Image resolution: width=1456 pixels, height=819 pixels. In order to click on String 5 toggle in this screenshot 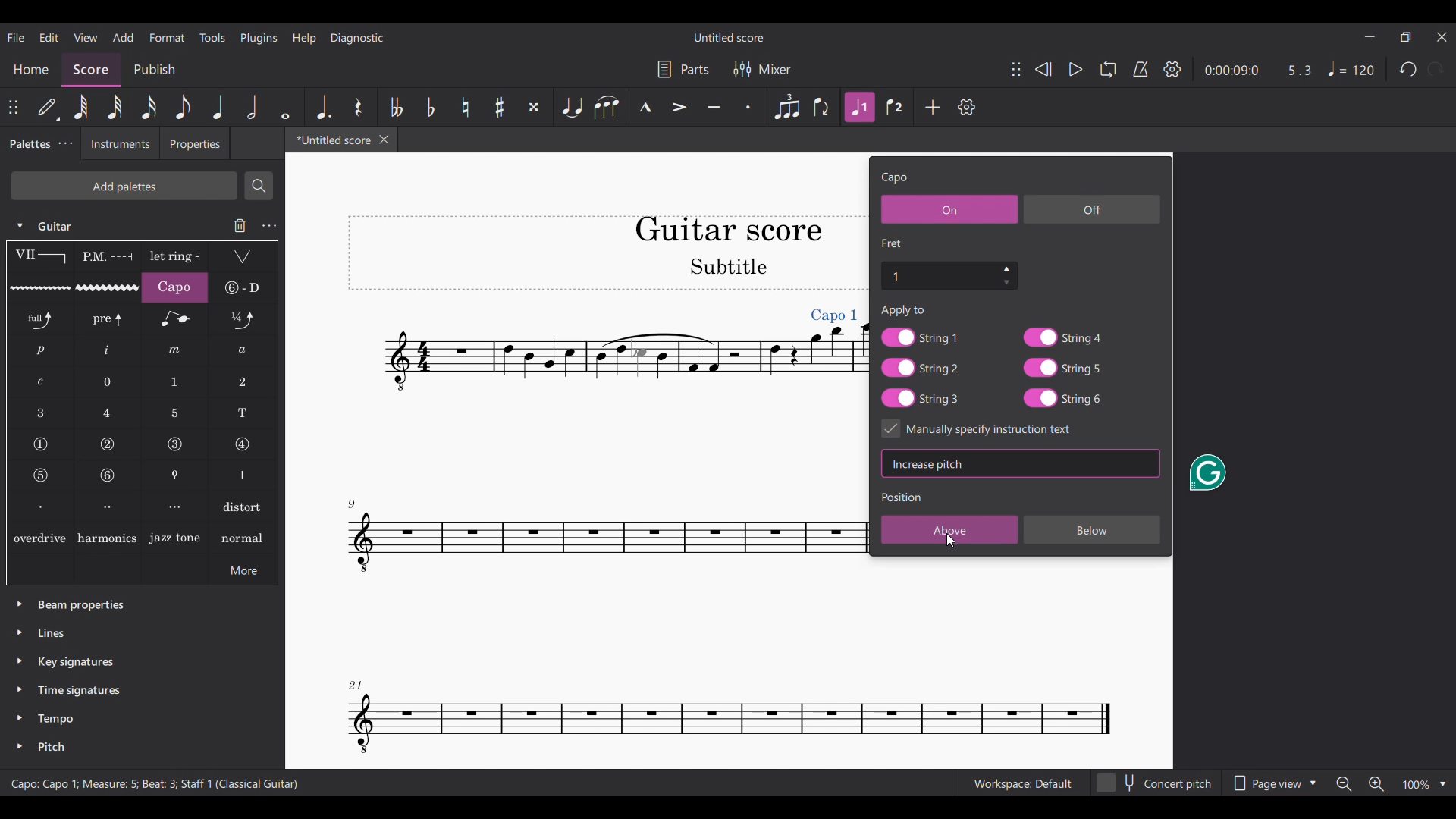, I will do `click(1062, 368)`.